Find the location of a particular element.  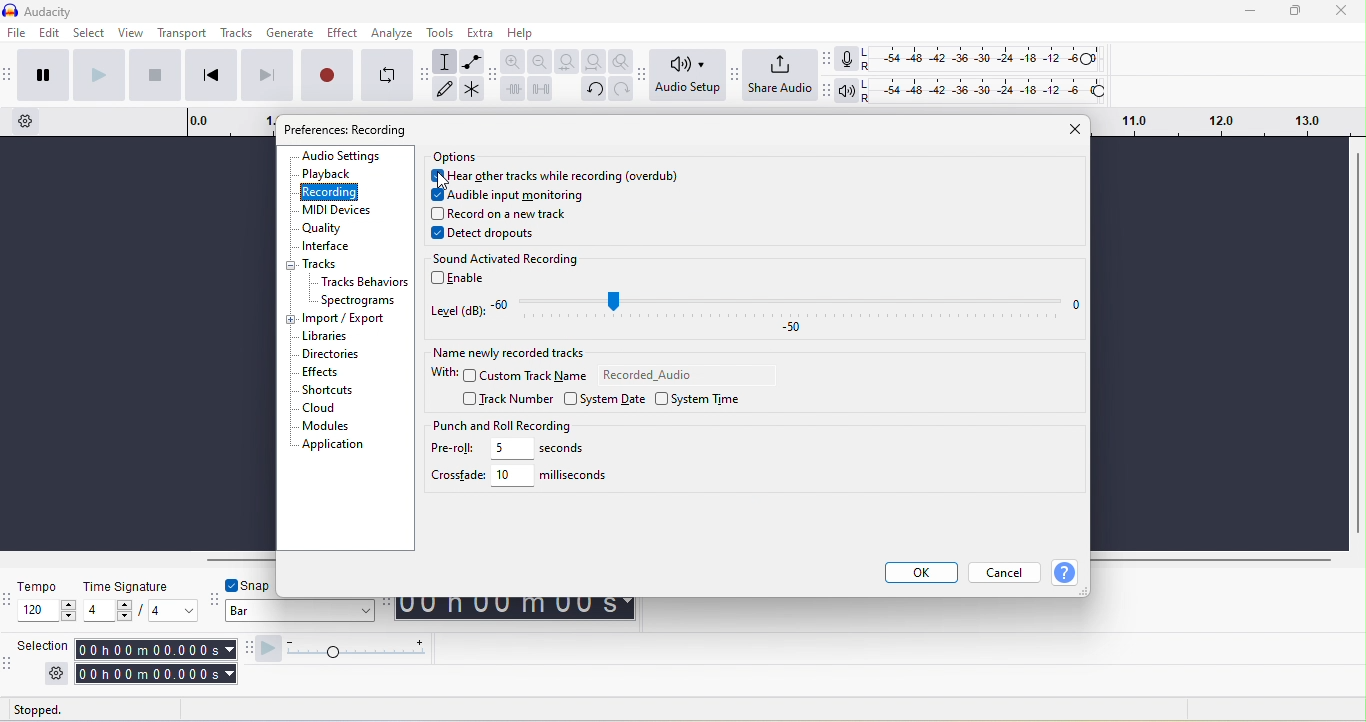

vertical scroll bar is located at coordinates (1356, 342).